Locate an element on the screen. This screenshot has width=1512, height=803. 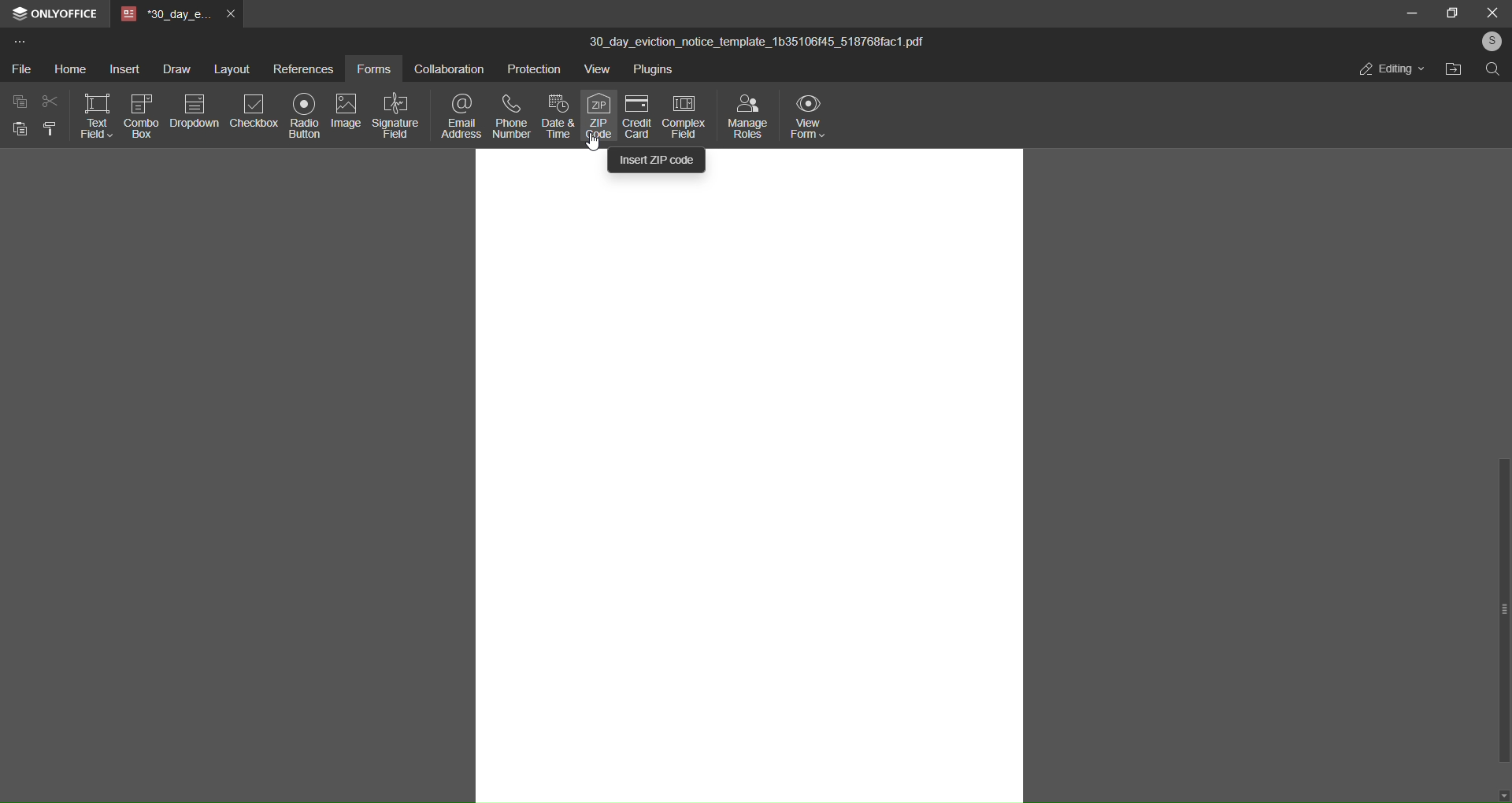
manage roles is located at coordinates (747, 117).